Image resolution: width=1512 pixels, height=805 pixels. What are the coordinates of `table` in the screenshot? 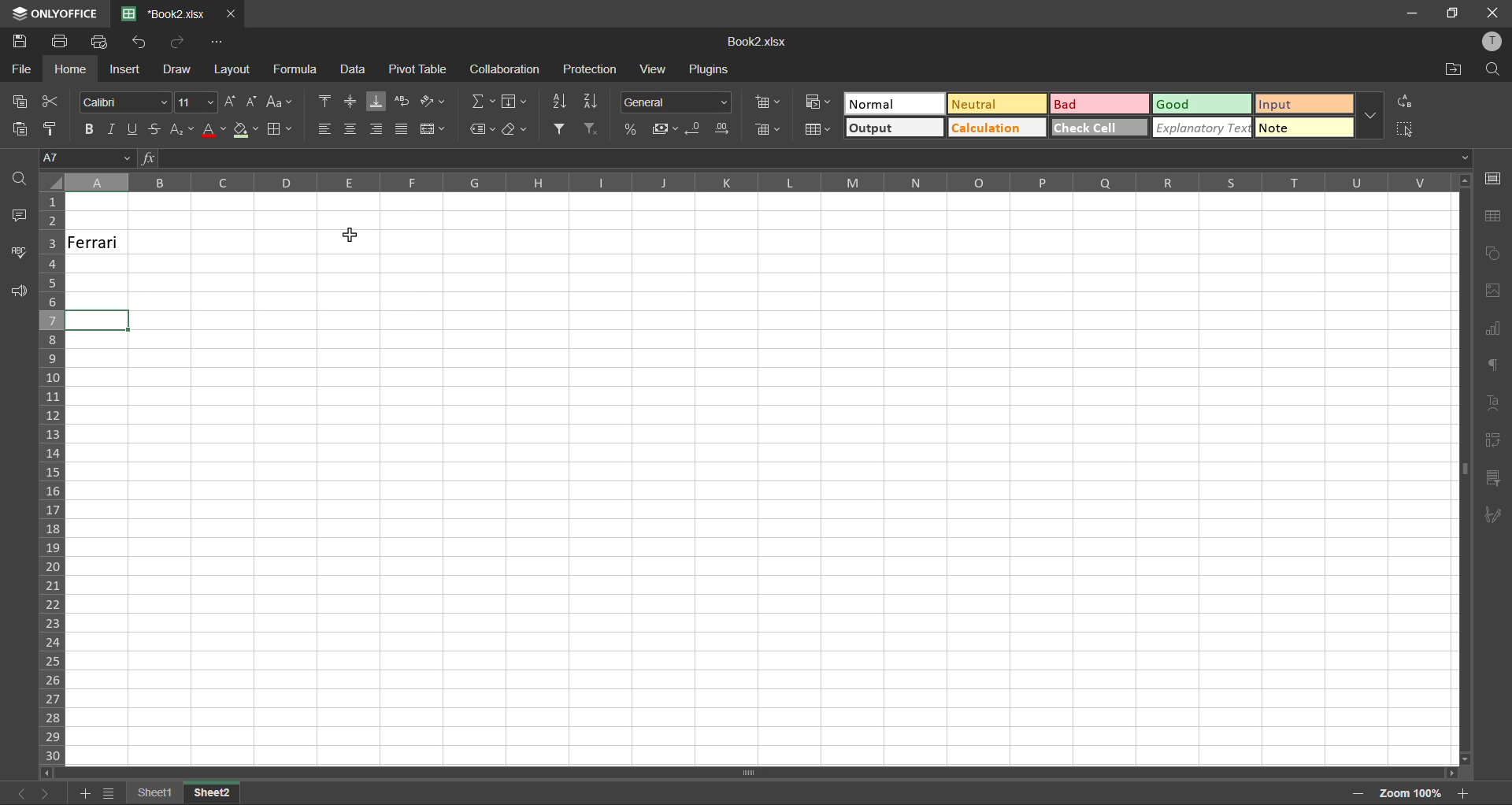 It's located at (1494, 217).